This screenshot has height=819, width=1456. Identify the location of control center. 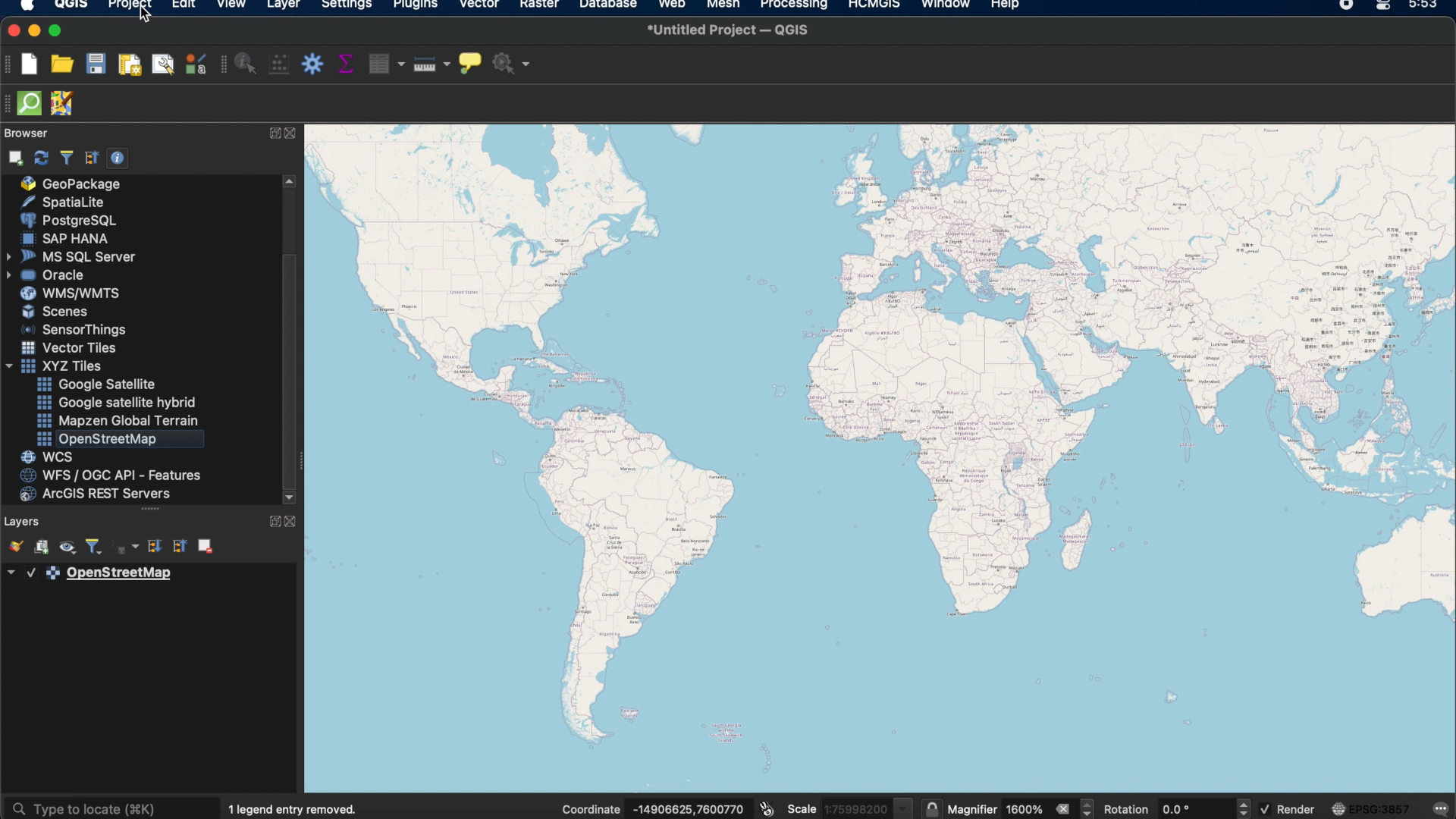
(1384, 8).